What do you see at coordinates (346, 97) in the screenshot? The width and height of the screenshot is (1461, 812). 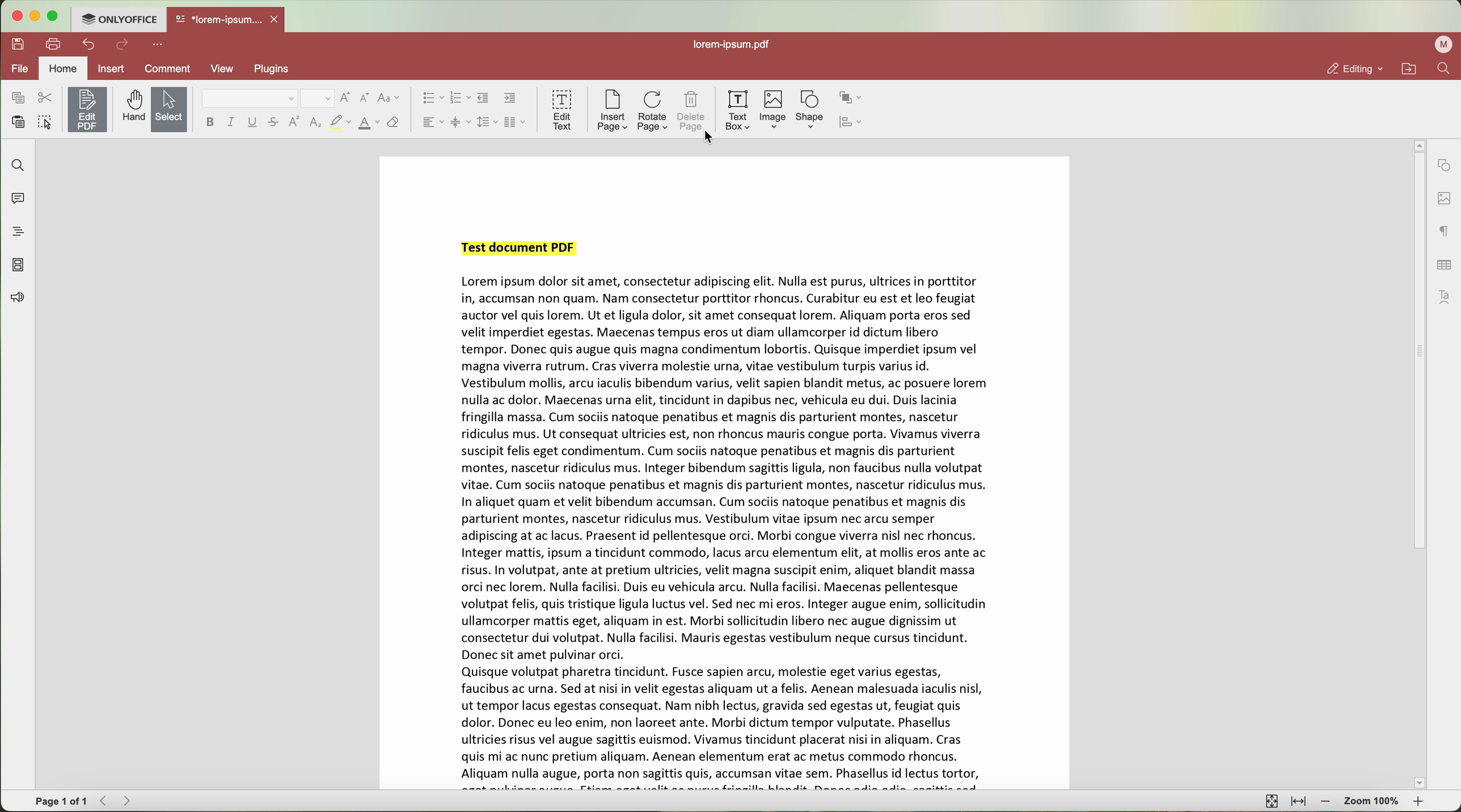 I see `increment font size` at bounding box center [346, 97].